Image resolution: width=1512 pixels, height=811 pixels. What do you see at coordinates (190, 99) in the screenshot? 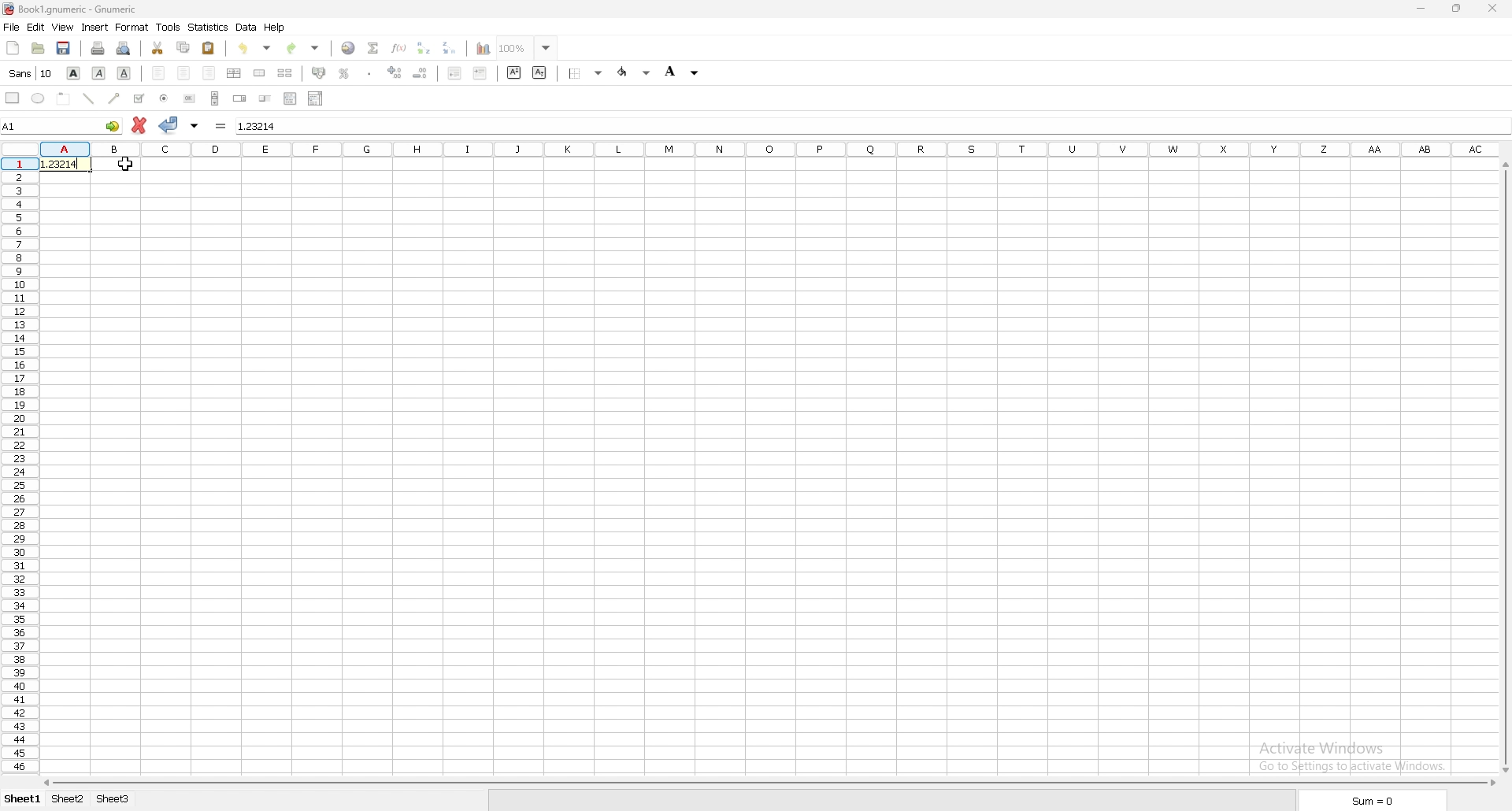
I see `button` at bounding box center [190, 99].